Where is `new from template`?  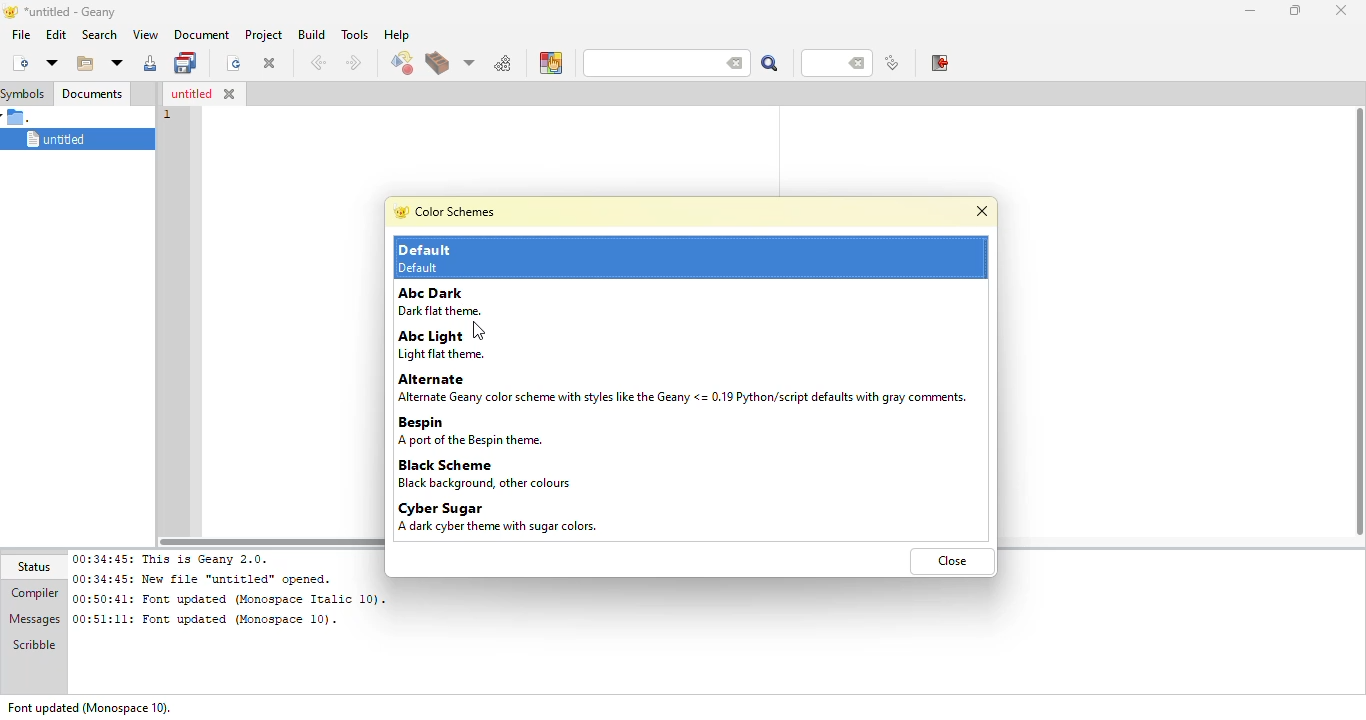 new from template is located at coordinates (51, 62).